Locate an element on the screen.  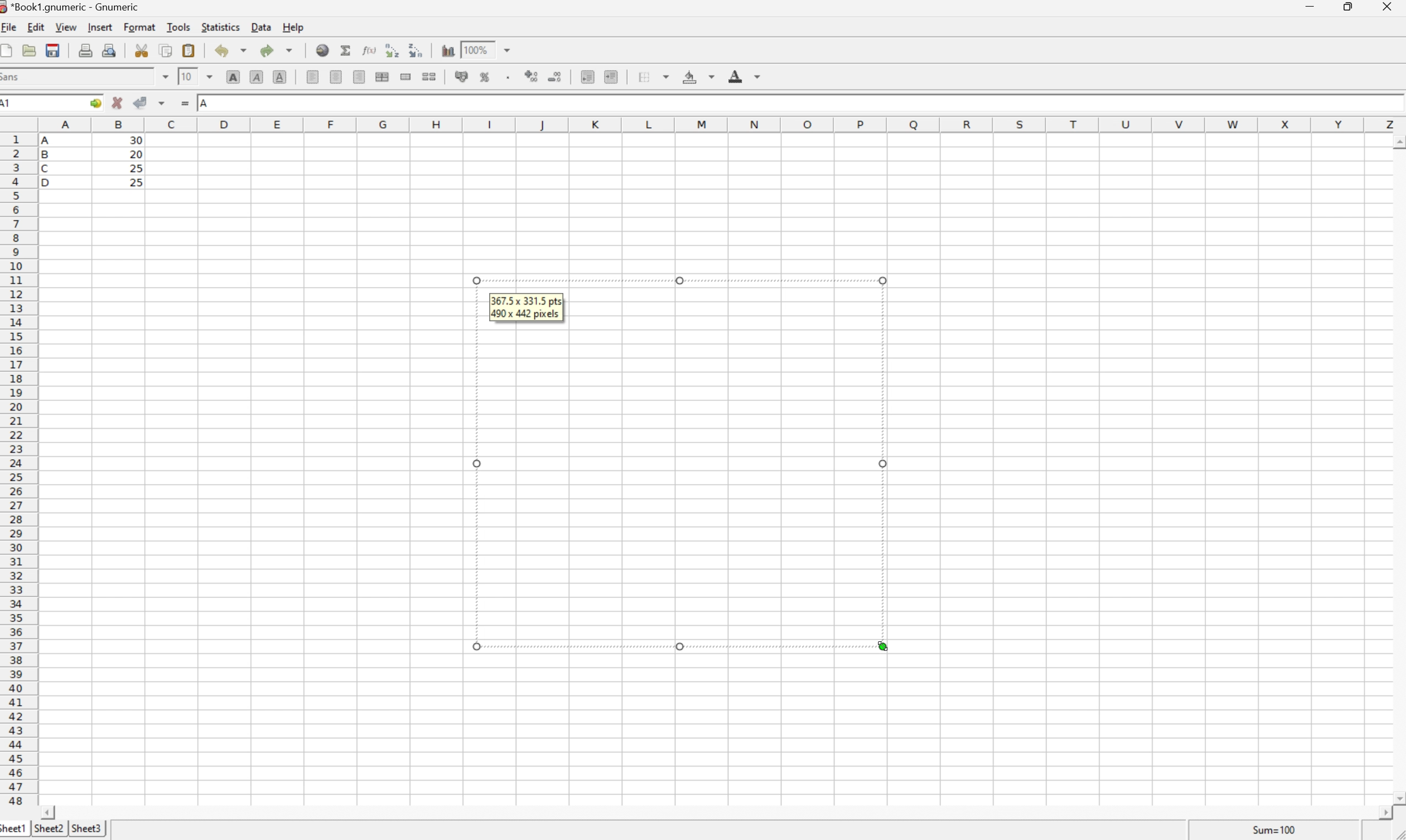
Edit is located at coordinates (36, 27).